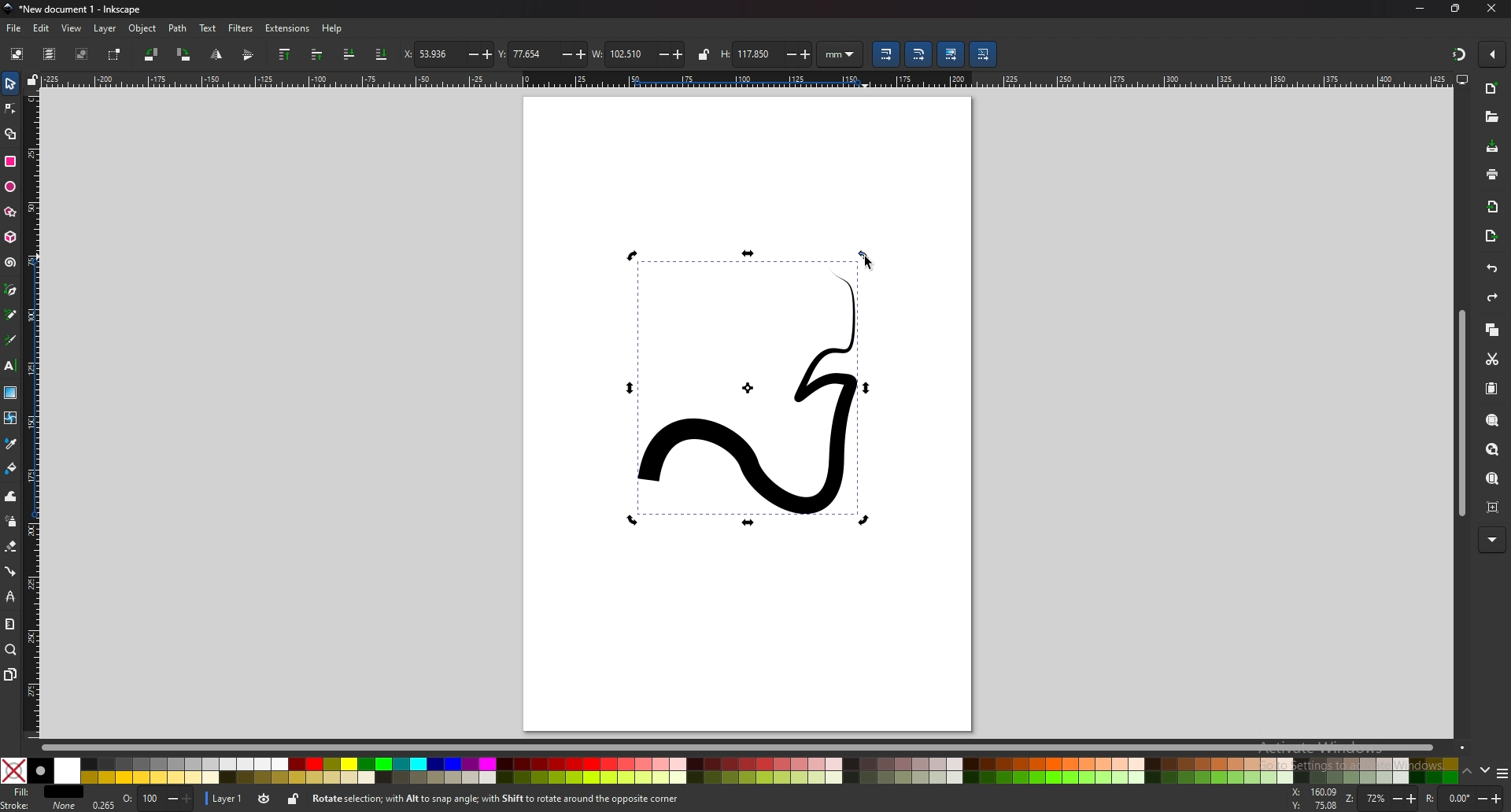 Image resolution: width=1511 pixels, height=812 pixels. I want to click on stroke, so click(40, 806).